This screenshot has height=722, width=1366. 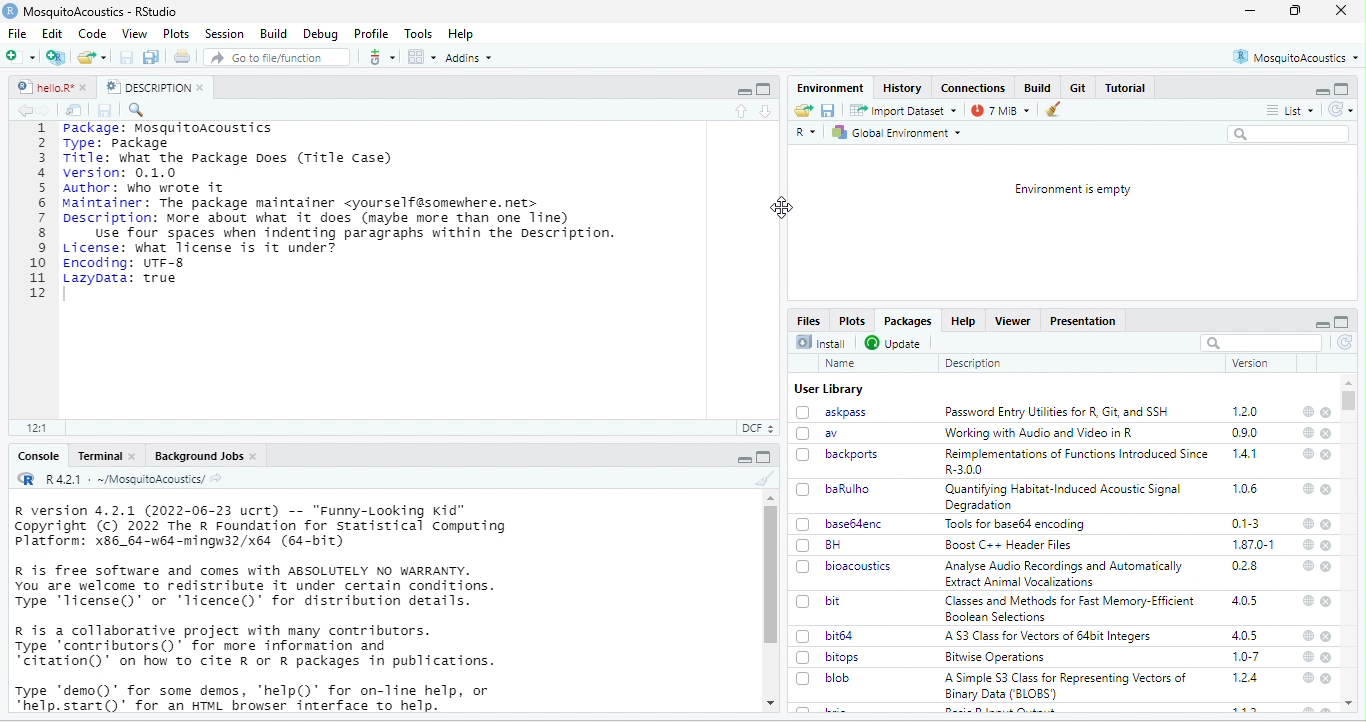 What do you see at coordinates (783, 210) in the screenshot?
I see `cursor` at bounding box center [783, 210].